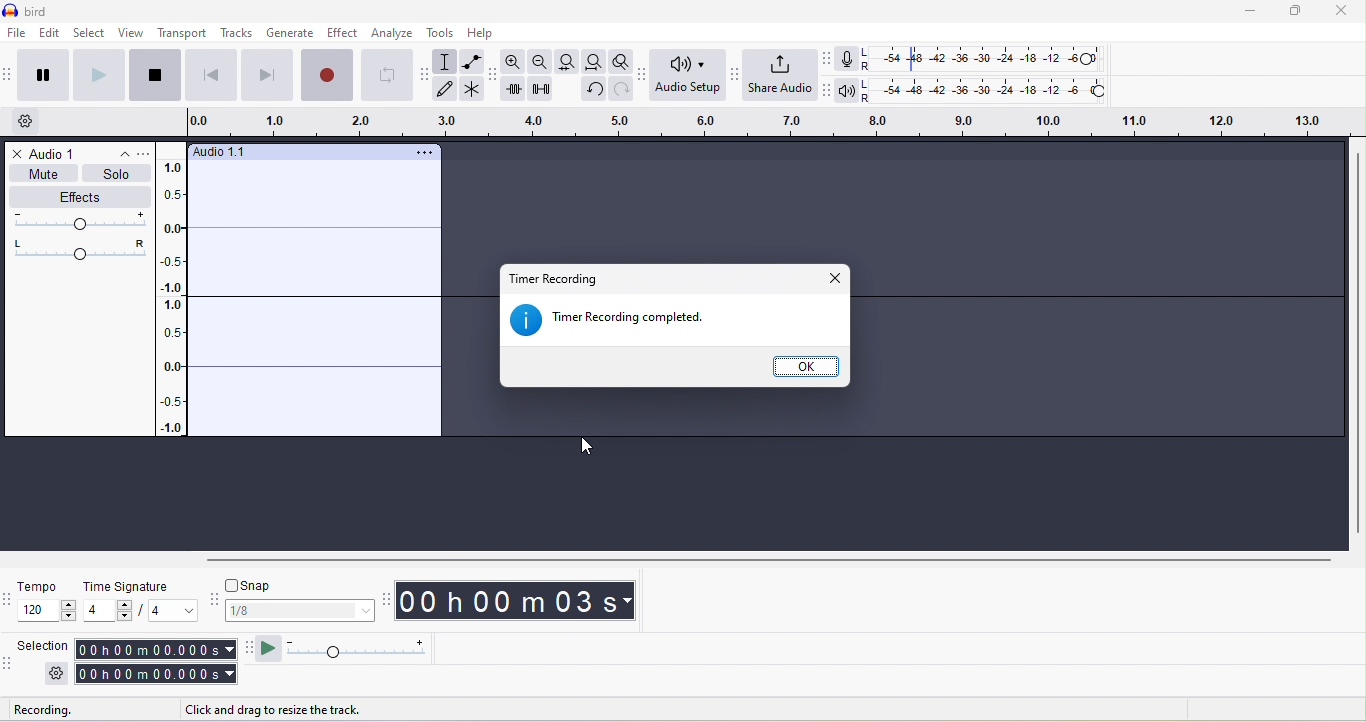 The width and height of the screenshot is (1366, 722). Describe the element at coordinates (389, 75) in the screenshot. I see `enable looping` at that location.